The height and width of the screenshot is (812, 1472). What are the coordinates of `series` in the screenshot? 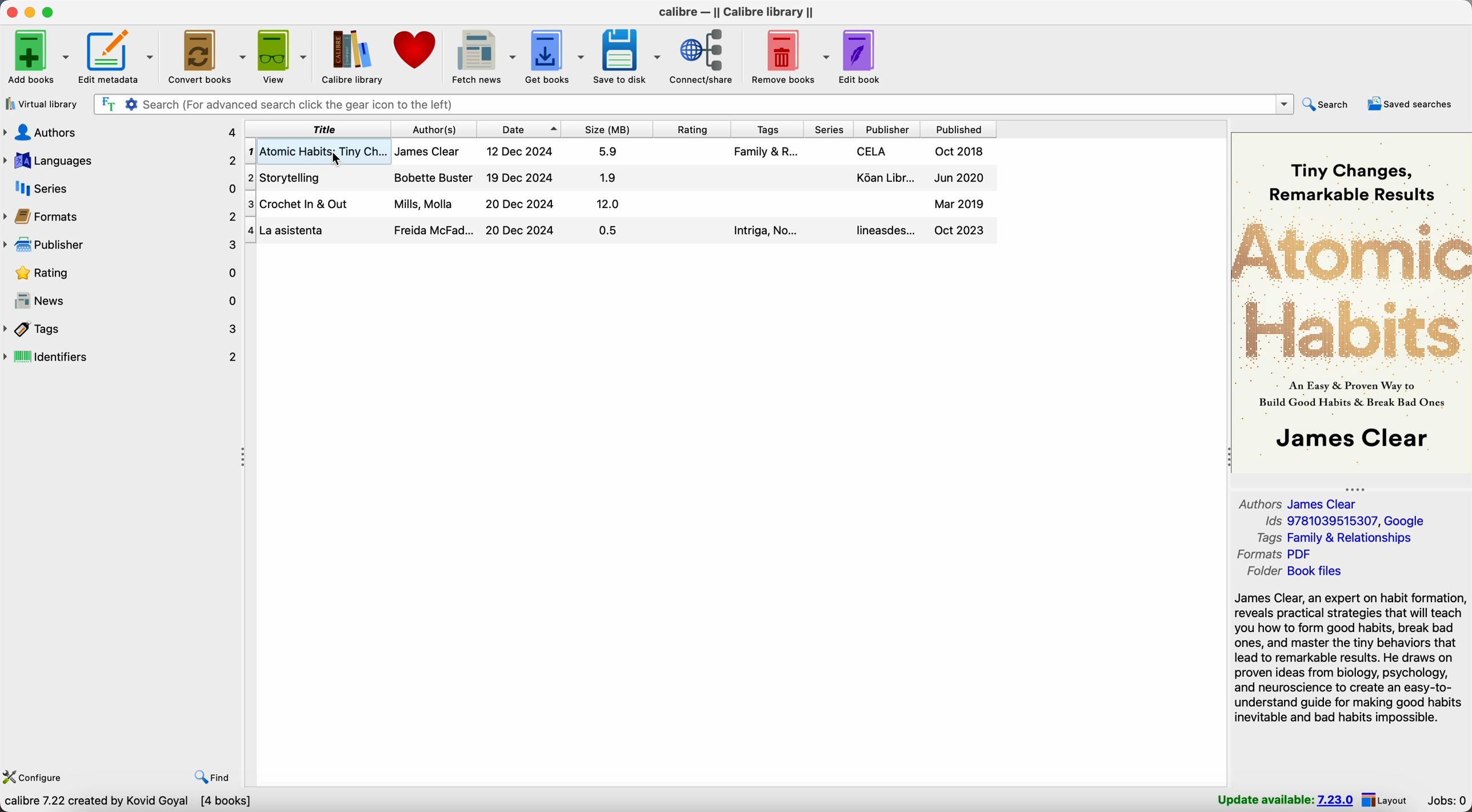 It's located at (122, 189).